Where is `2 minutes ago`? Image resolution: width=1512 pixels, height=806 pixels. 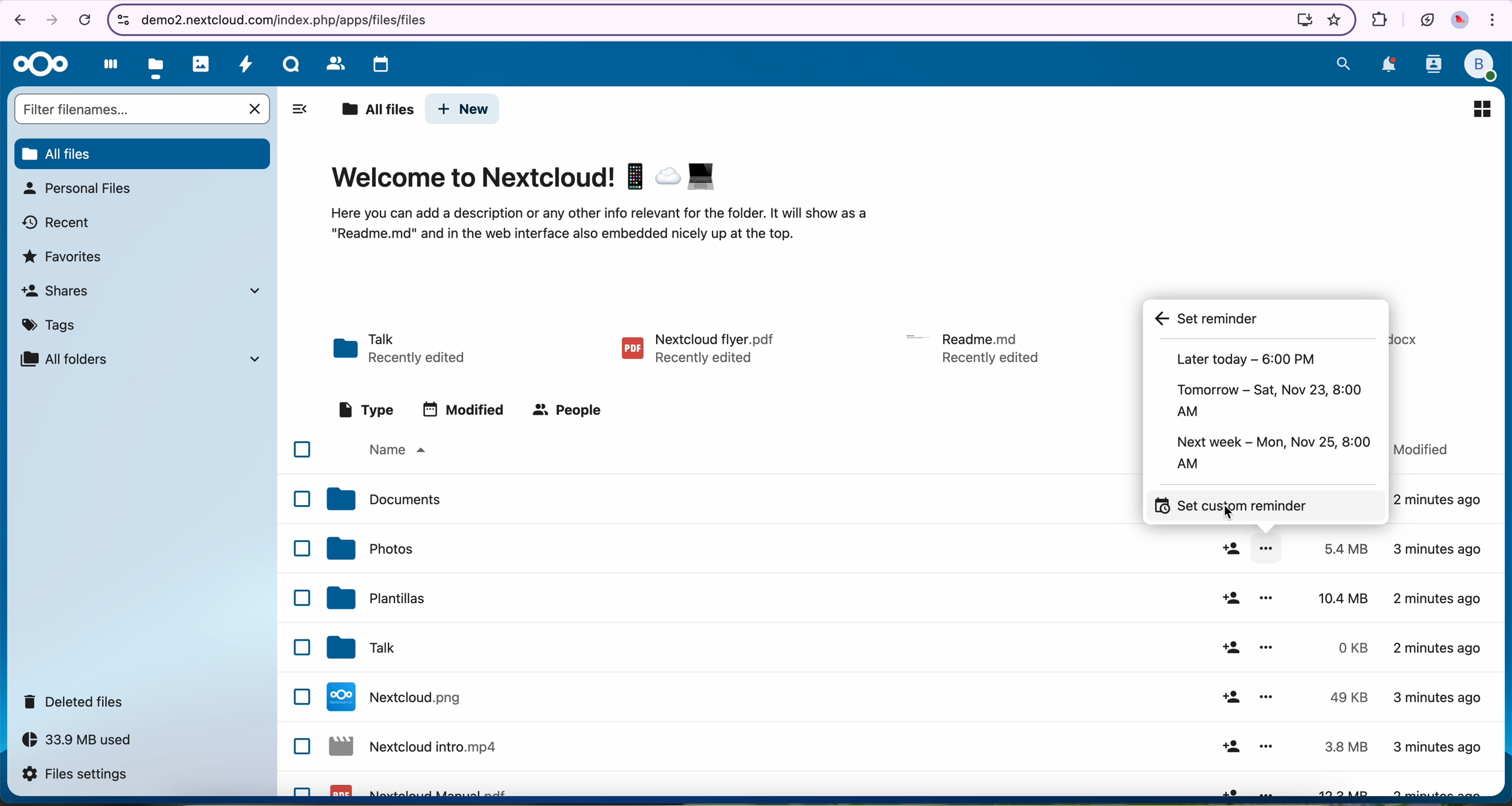
2 minutes ago is located at coordinates (1438, 652).